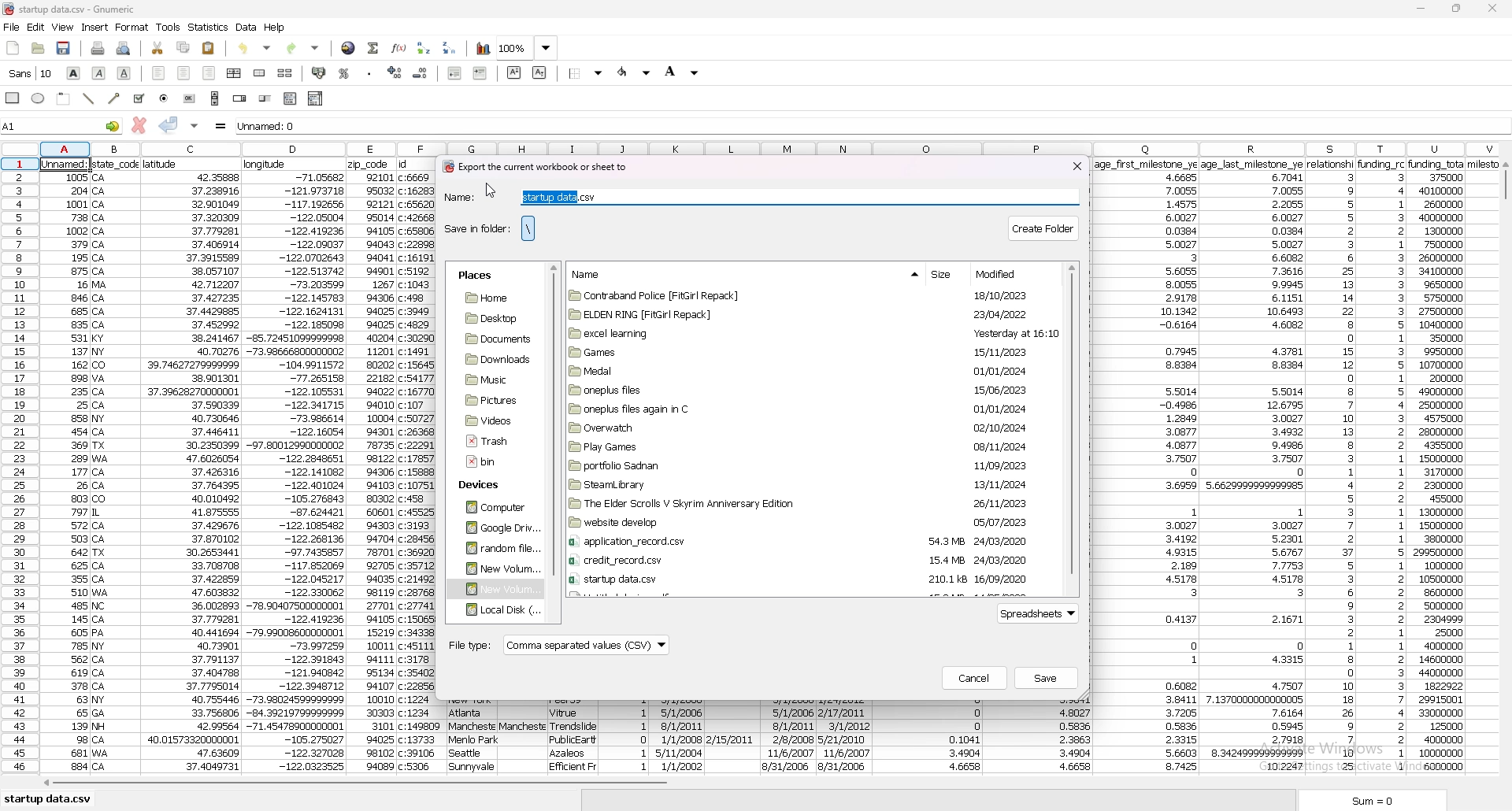  What do you see at coordinates (496, 610) in the screenshot?
I see `folder` at bounding box center [496, 610].